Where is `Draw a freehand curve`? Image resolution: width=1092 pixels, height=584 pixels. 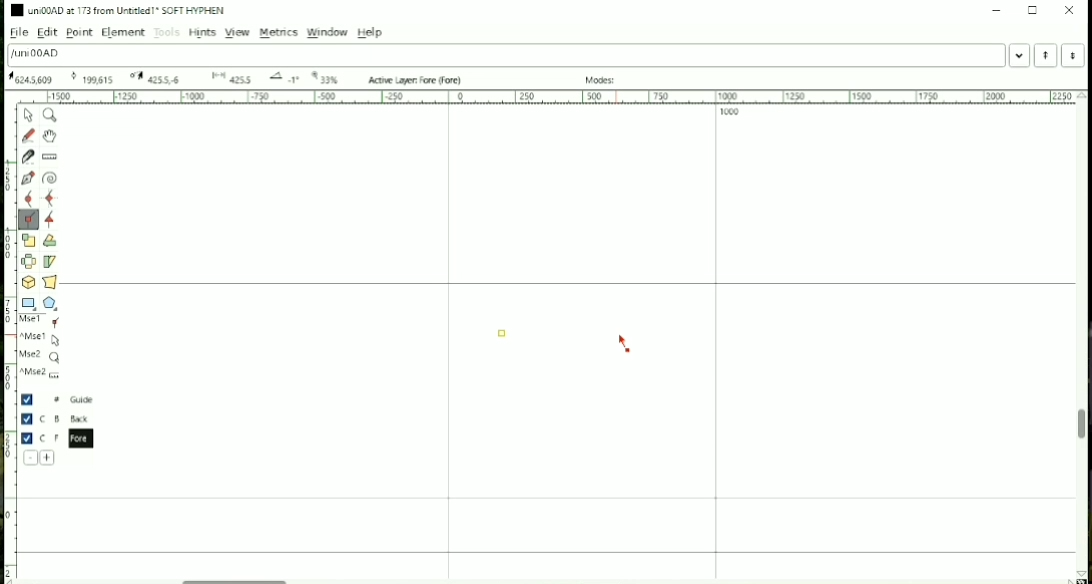
Draw a freehand curve is located at coordinates (28, 135).